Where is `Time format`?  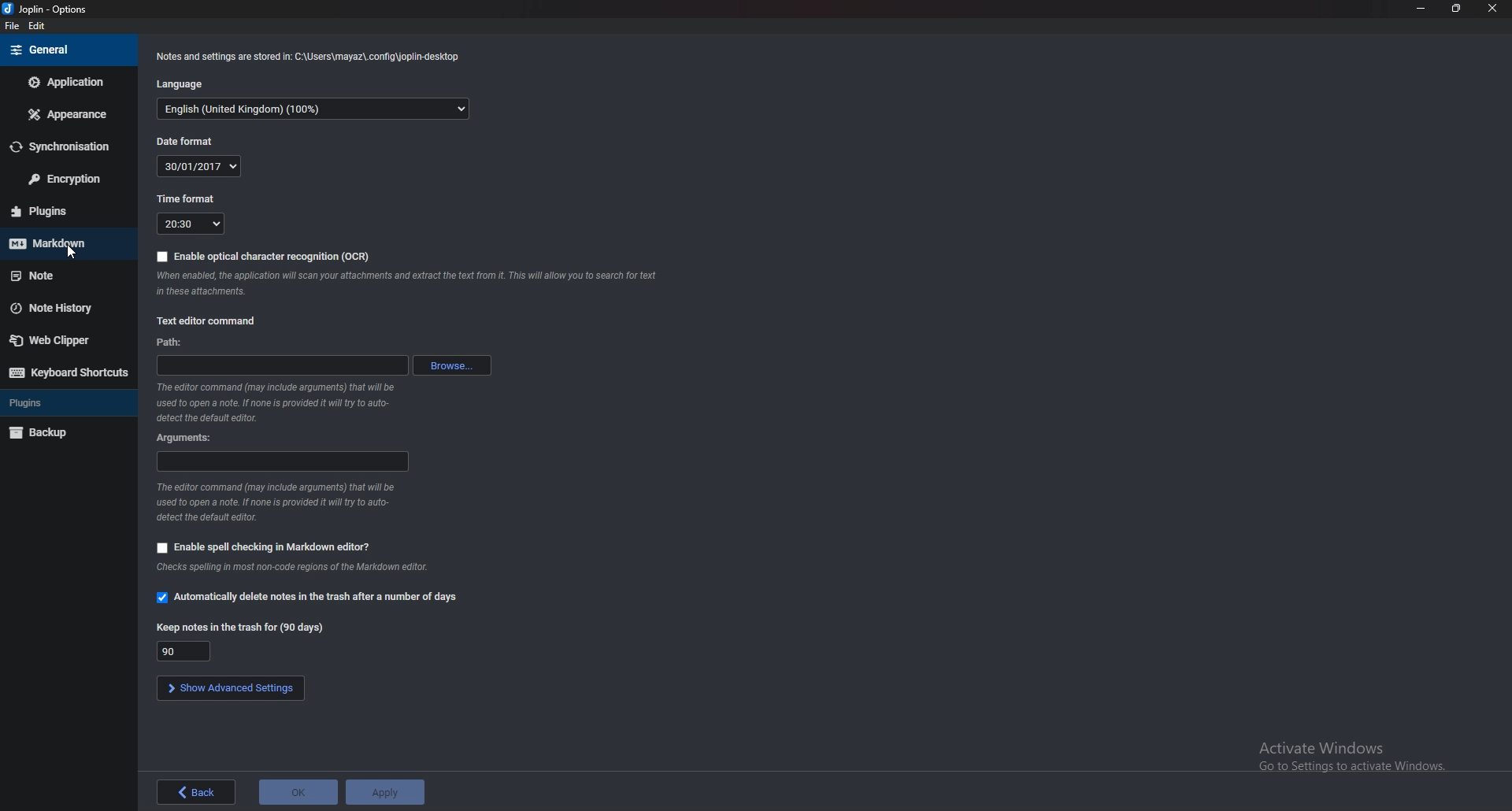 Time format is located at coordinates (190, 224).